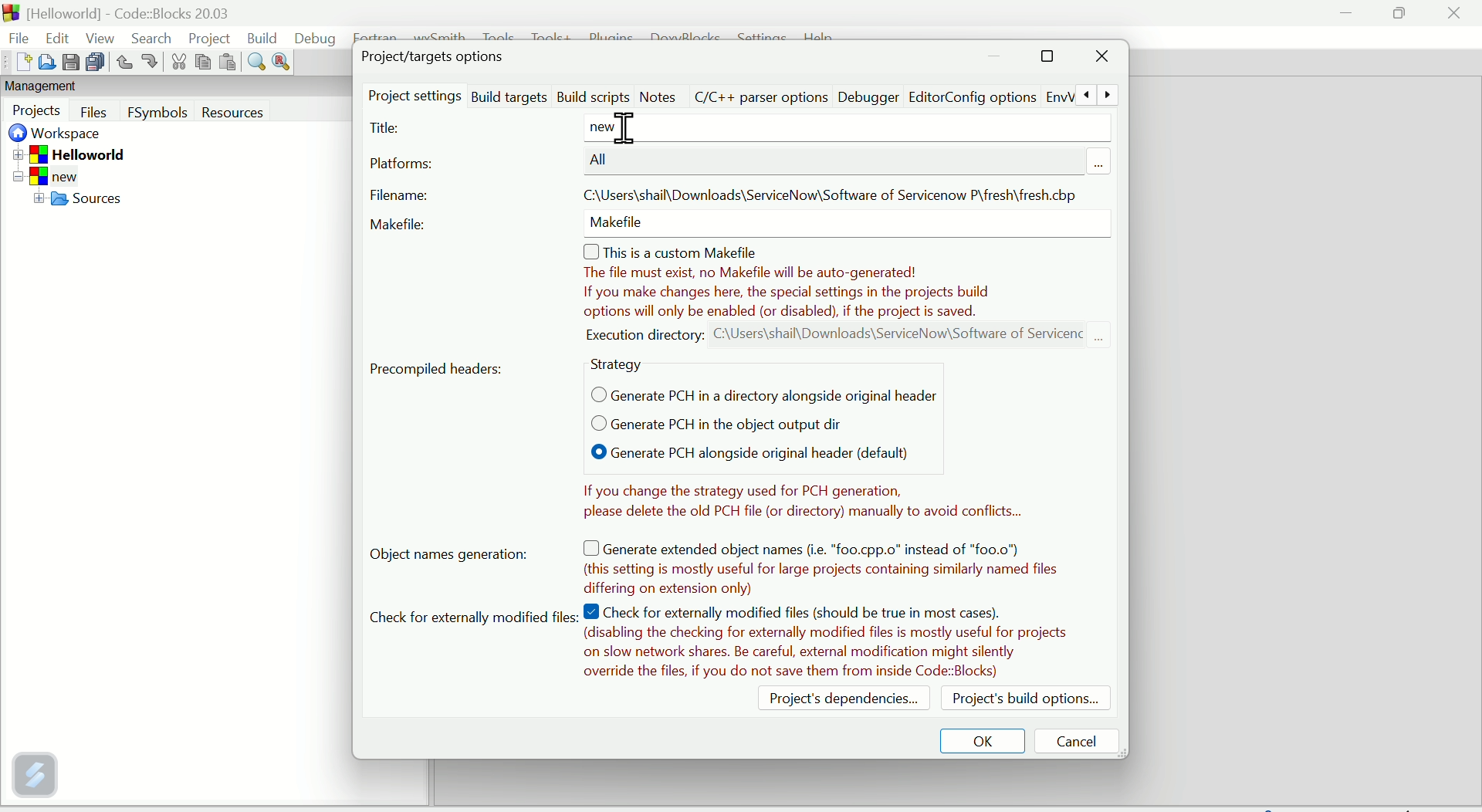 The image size is (1482, 812). Describe the element at coordinates (825, 563) in the screenshot. I see `Note` at that location.